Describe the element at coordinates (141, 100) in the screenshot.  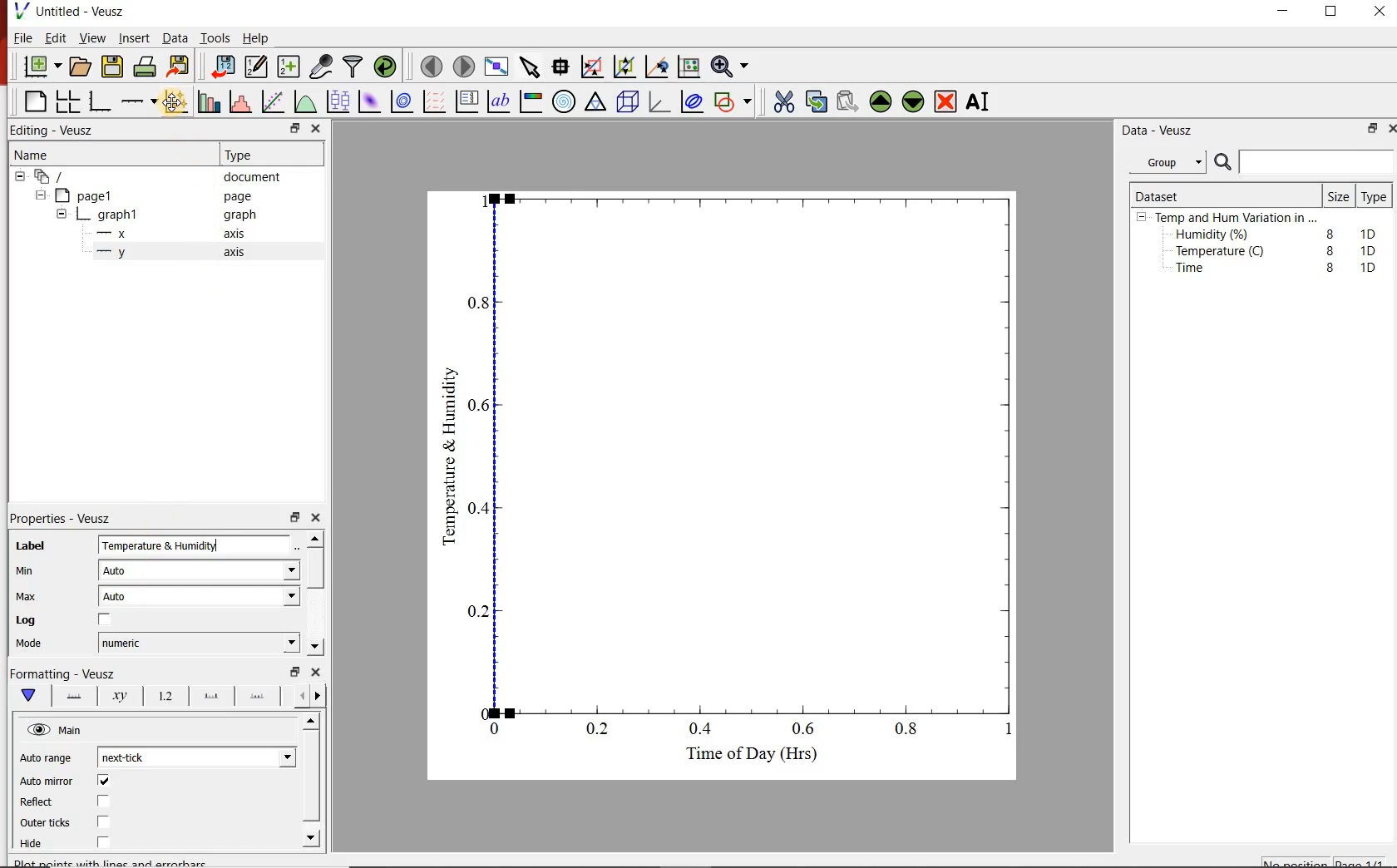
I see `add an axis to a plot` at that location.